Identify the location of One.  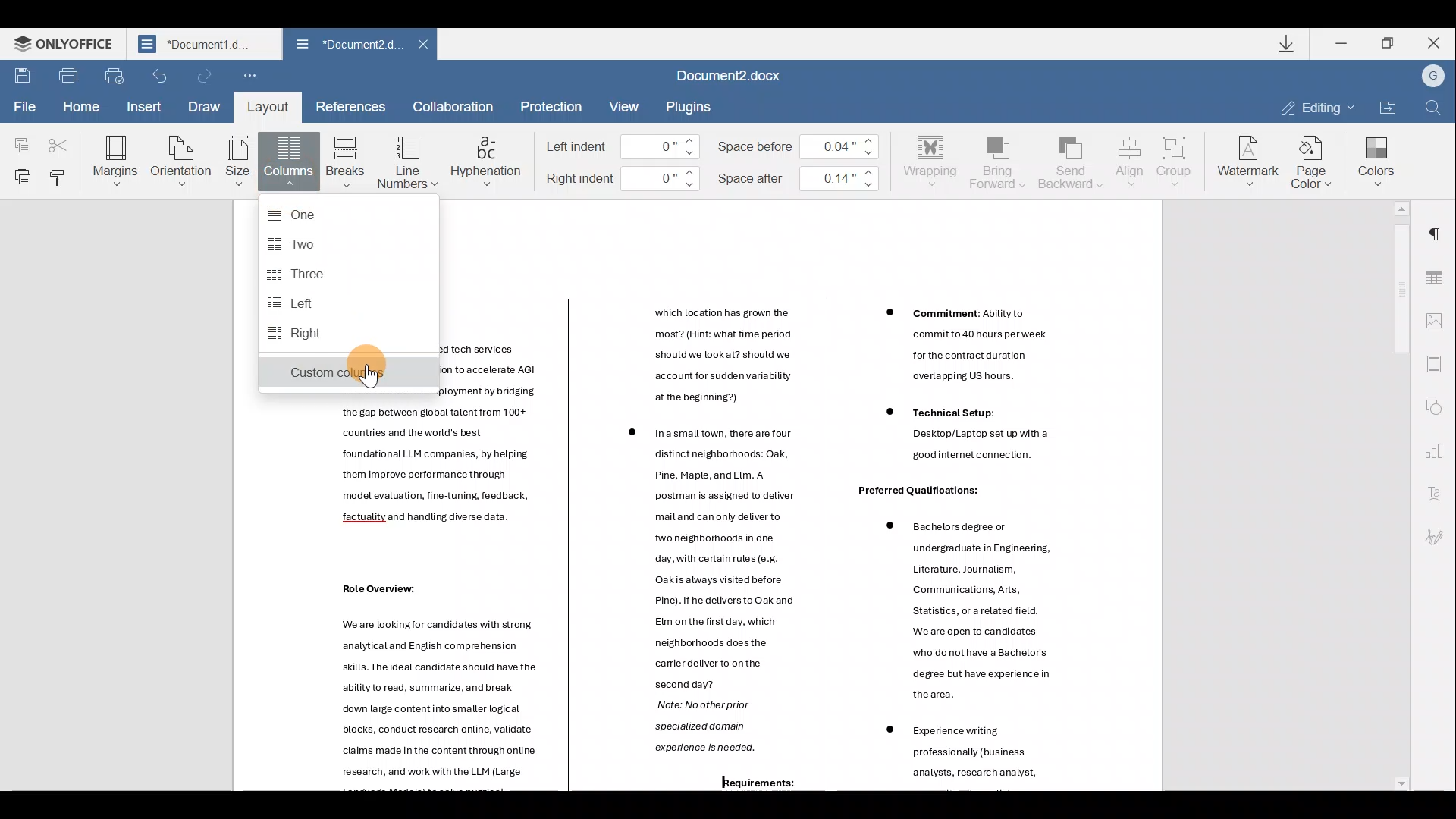
(326, 210).